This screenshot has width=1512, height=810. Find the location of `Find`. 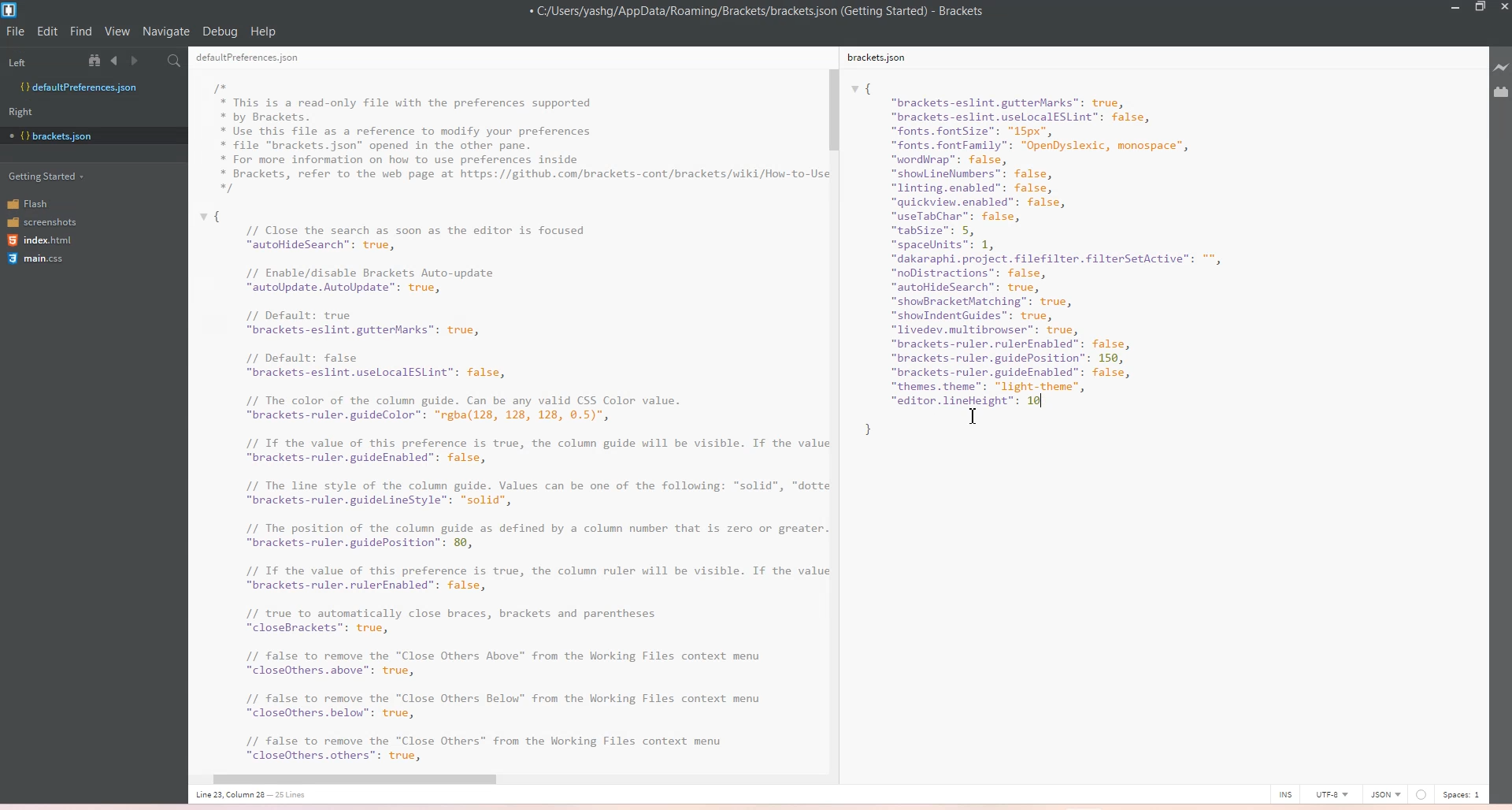

Find is located at coordinates (82, 32).